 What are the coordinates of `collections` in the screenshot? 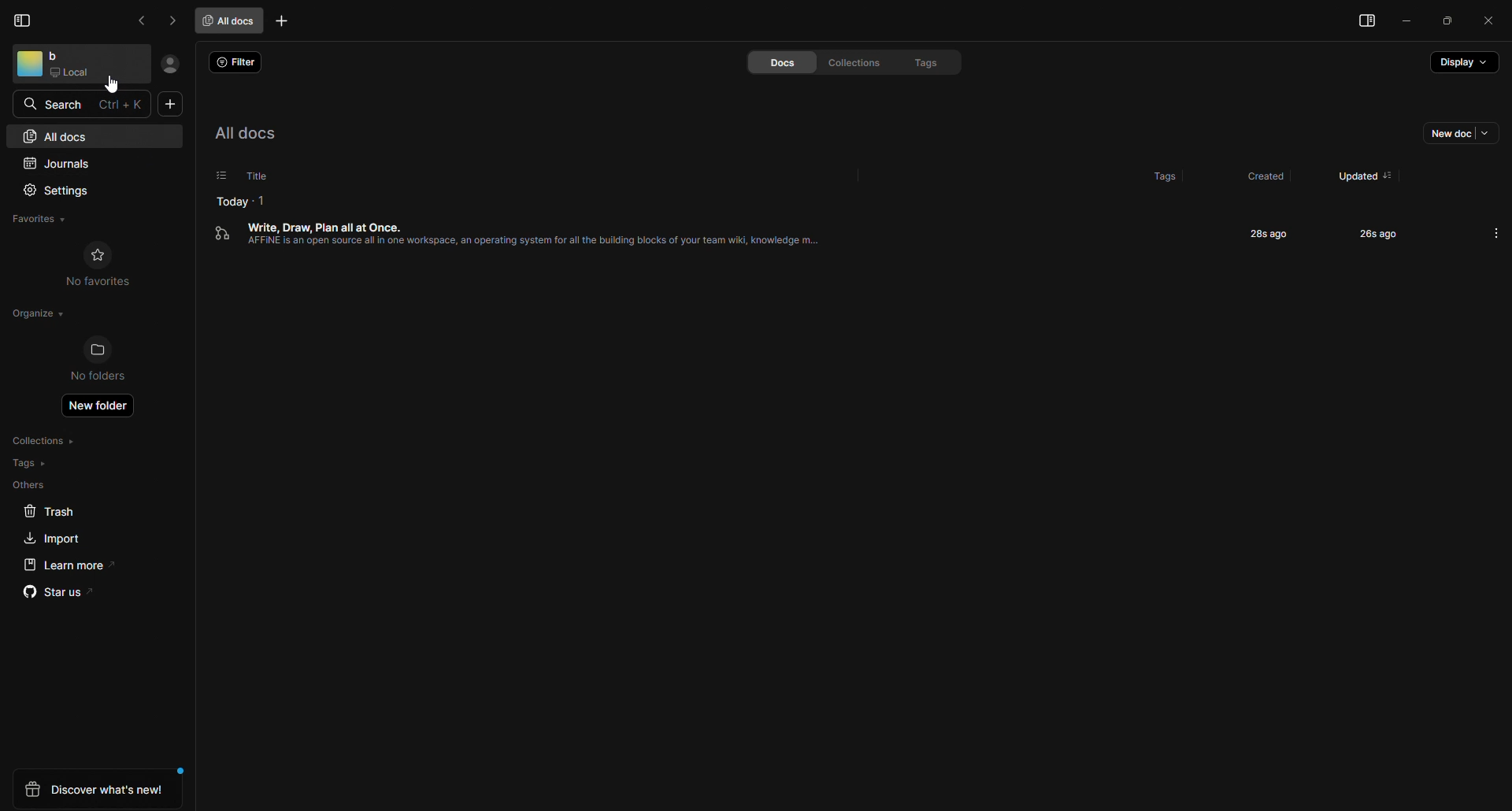 It's located at (48, 441).